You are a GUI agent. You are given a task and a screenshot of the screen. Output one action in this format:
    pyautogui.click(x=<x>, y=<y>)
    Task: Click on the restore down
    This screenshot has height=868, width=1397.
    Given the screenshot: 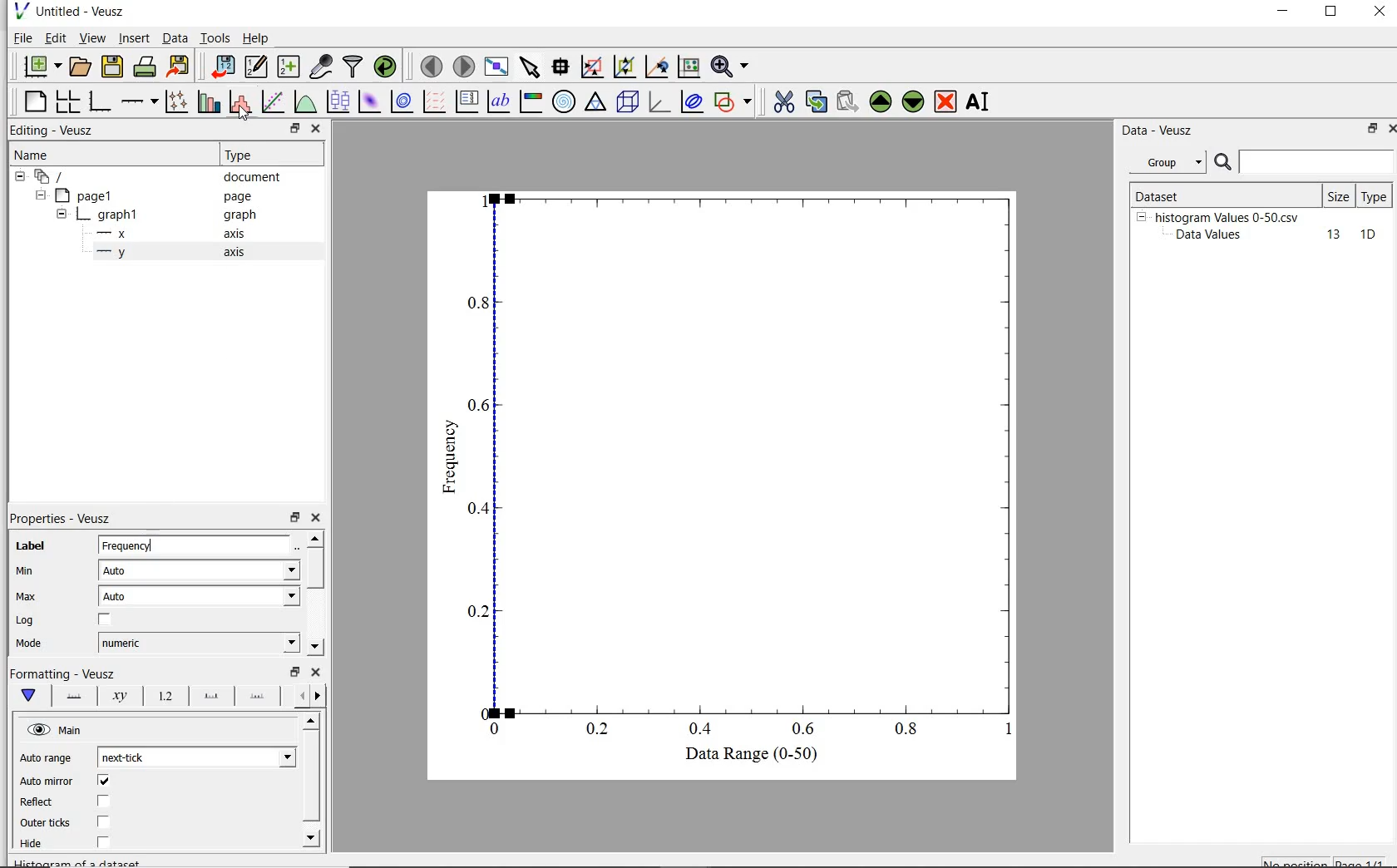 What is the action you would take?
    pyautogui.click(x=294, y=129)
    